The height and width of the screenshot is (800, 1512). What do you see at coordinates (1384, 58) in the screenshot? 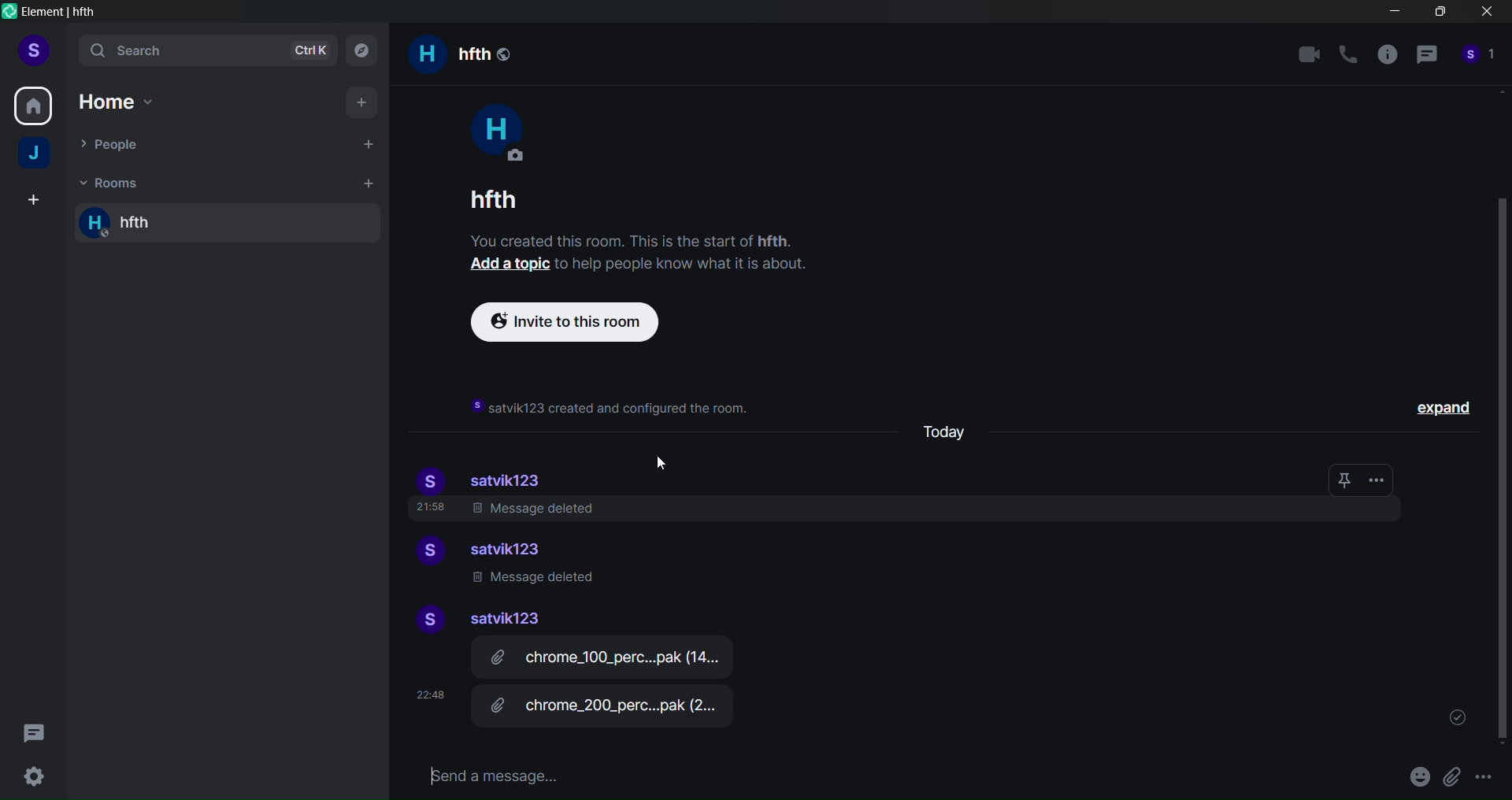
I see `room info` at bounding box center [1384, 58].